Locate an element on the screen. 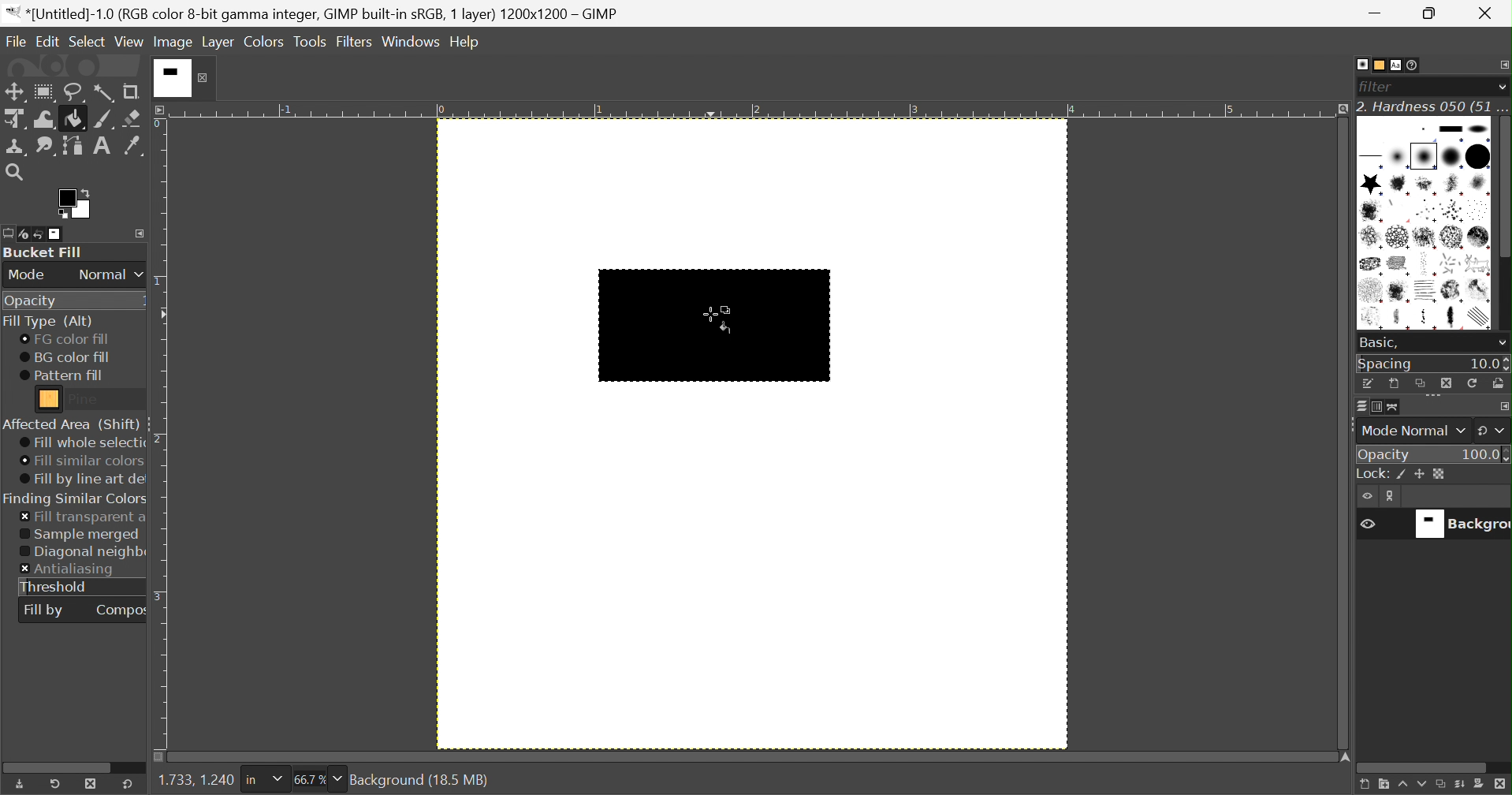  Images is located at coordinates (57, 234).